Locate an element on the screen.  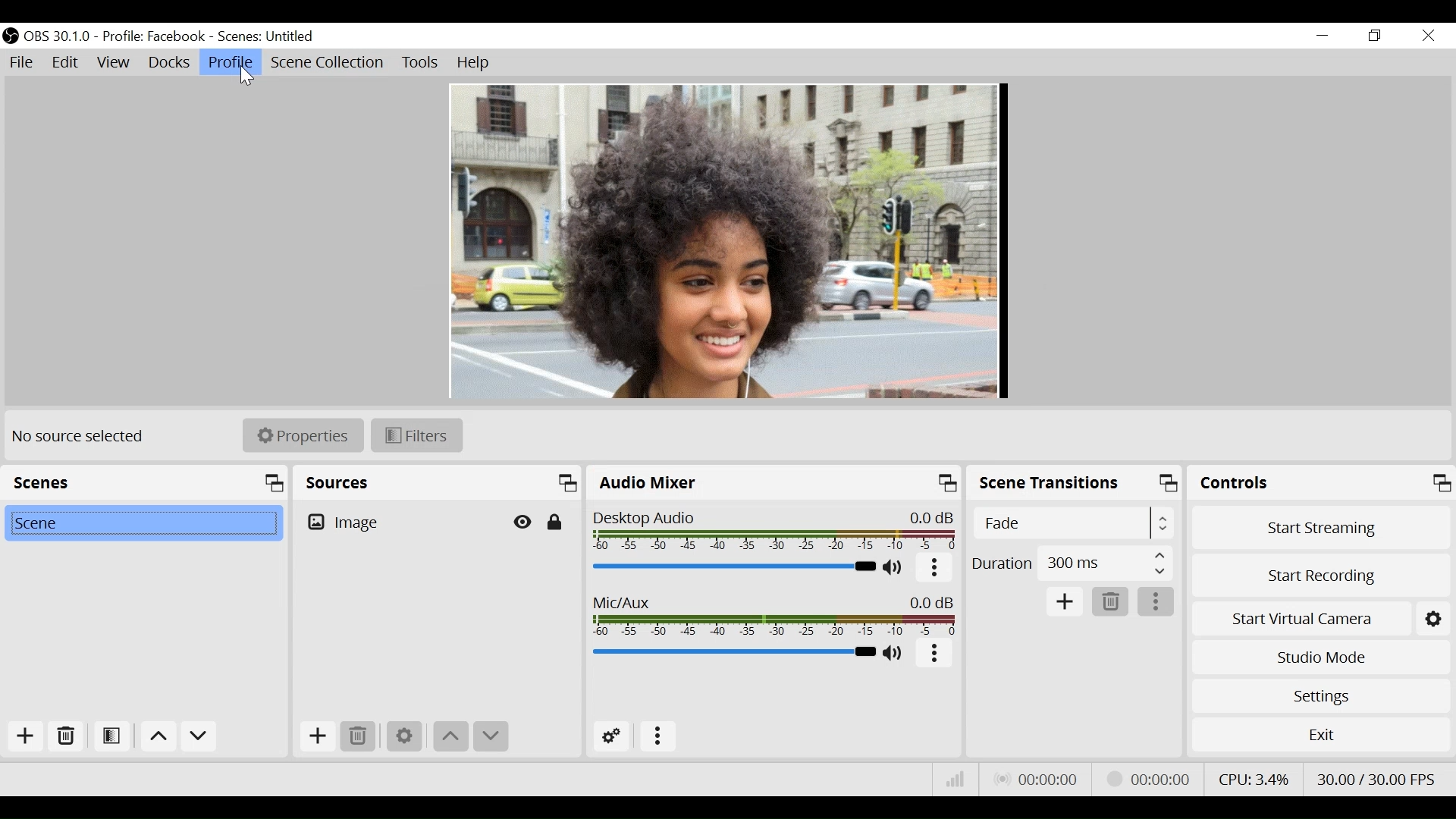
Bitrate is located at coordinates (955, 781).